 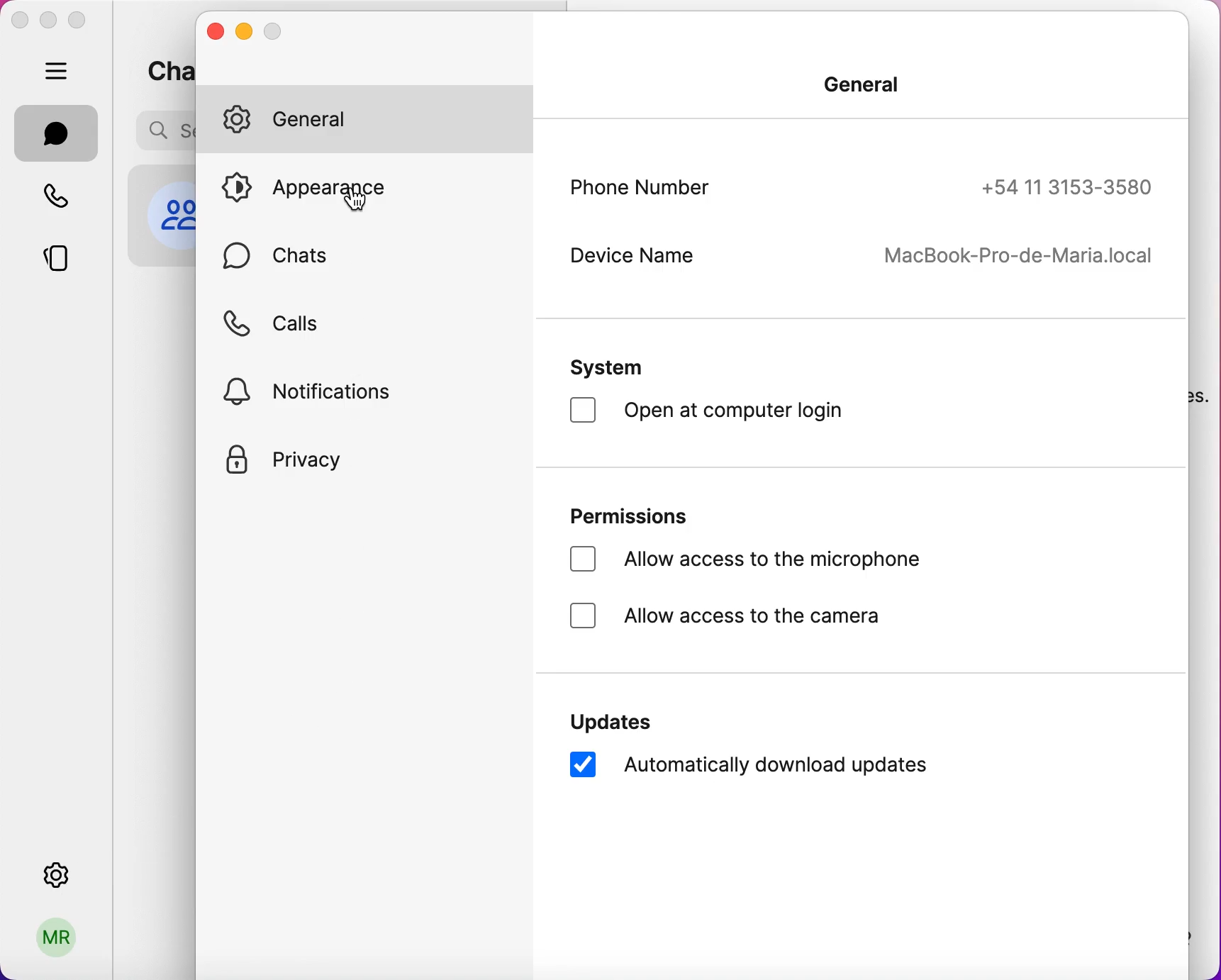 I want to click on allow access to the camera, so click(x=776, y=620).